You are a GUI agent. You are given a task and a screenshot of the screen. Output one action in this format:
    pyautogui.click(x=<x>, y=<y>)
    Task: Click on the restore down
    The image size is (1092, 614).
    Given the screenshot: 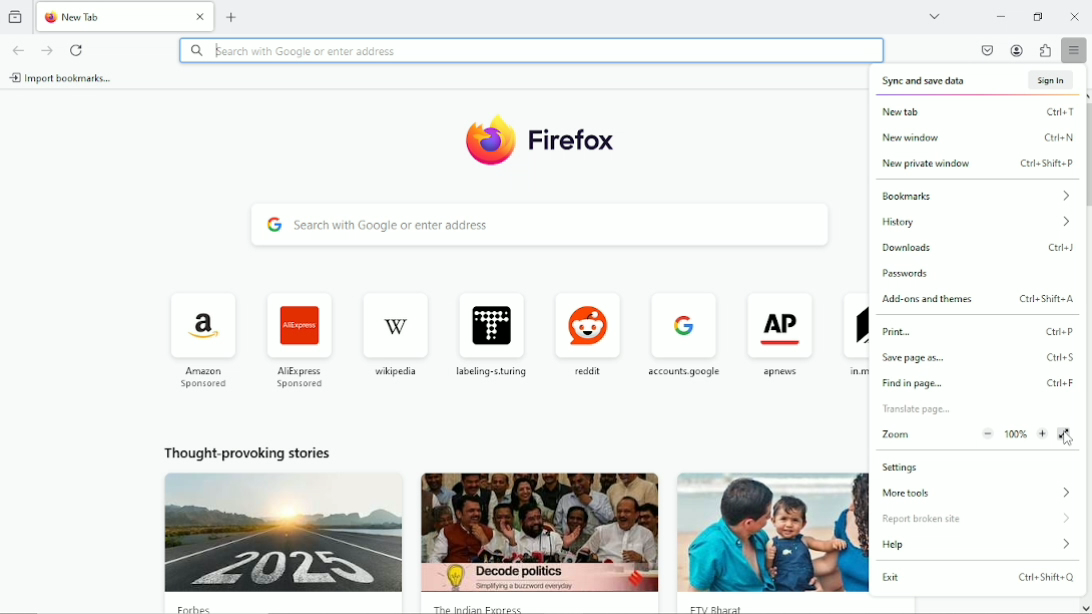 What is the action you would take?
    pyautogui.click(x=1040, y=16)
    